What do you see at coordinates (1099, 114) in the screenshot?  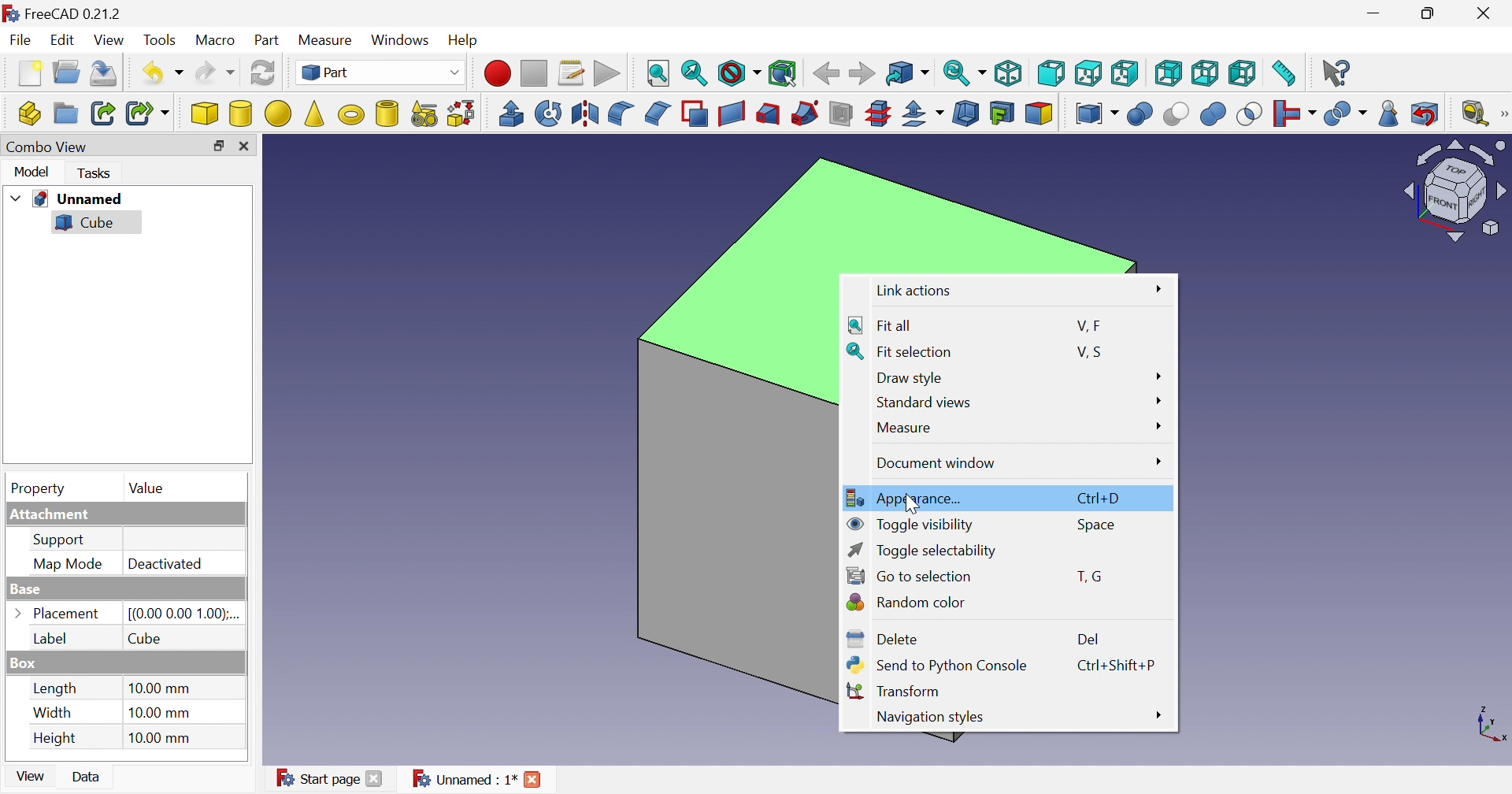 I see `Compound tools` at bounding box center [1099, 114].